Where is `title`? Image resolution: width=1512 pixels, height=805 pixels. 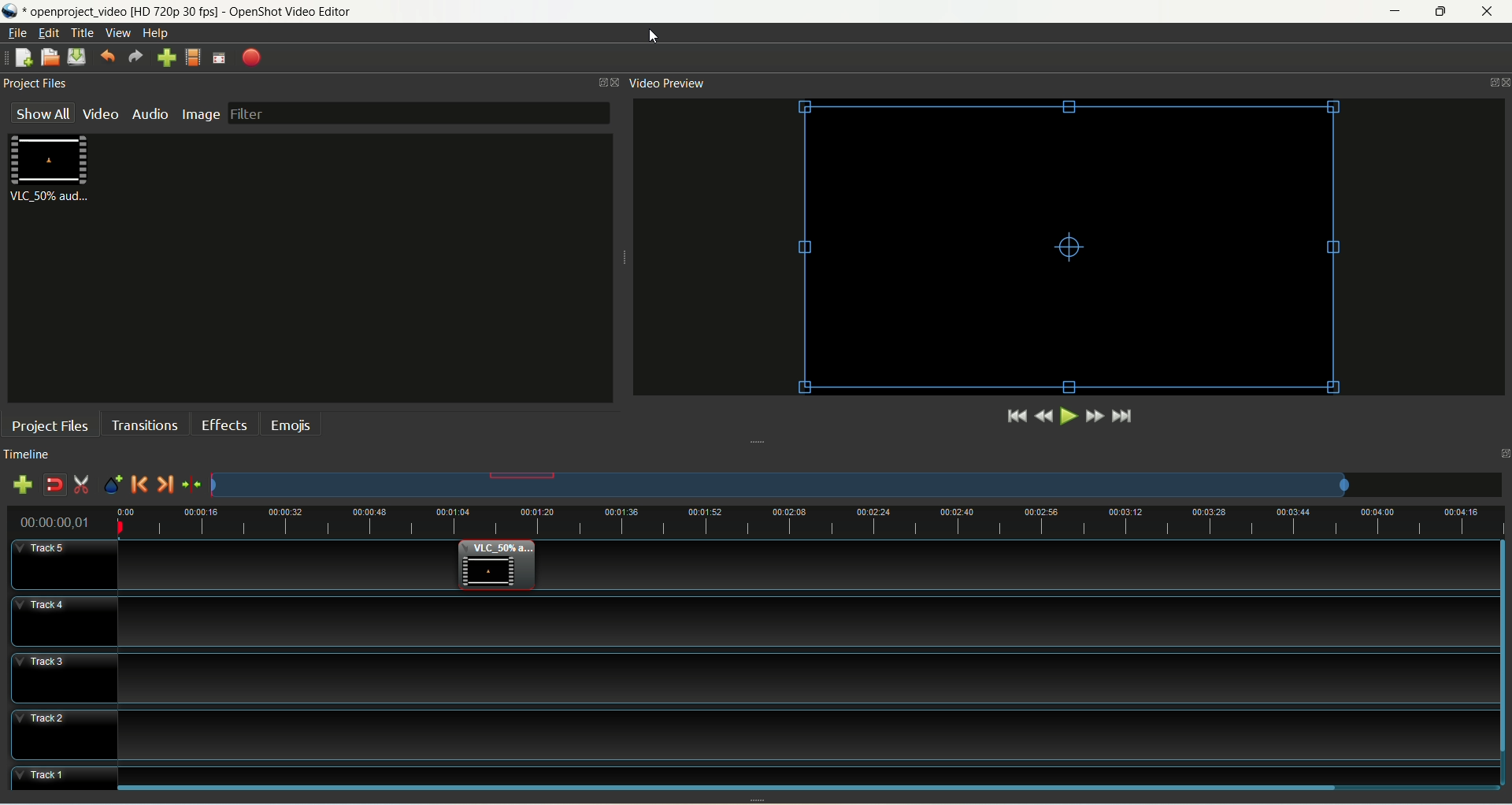 title is located at coordinates (83, 33).